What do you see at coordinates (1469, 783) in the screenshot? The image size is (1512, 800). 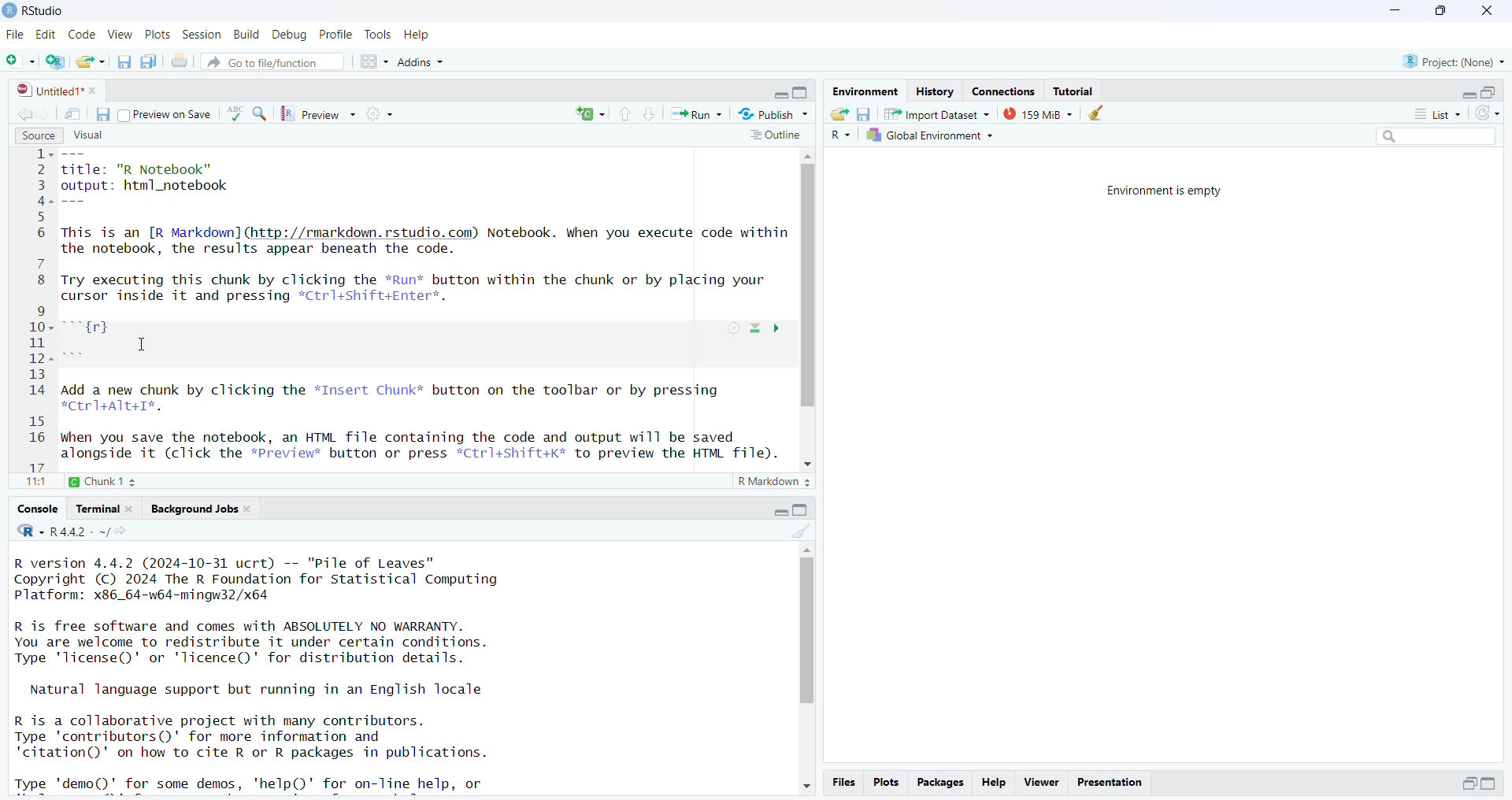 I see `expand` at bounding box center [1469, 783].